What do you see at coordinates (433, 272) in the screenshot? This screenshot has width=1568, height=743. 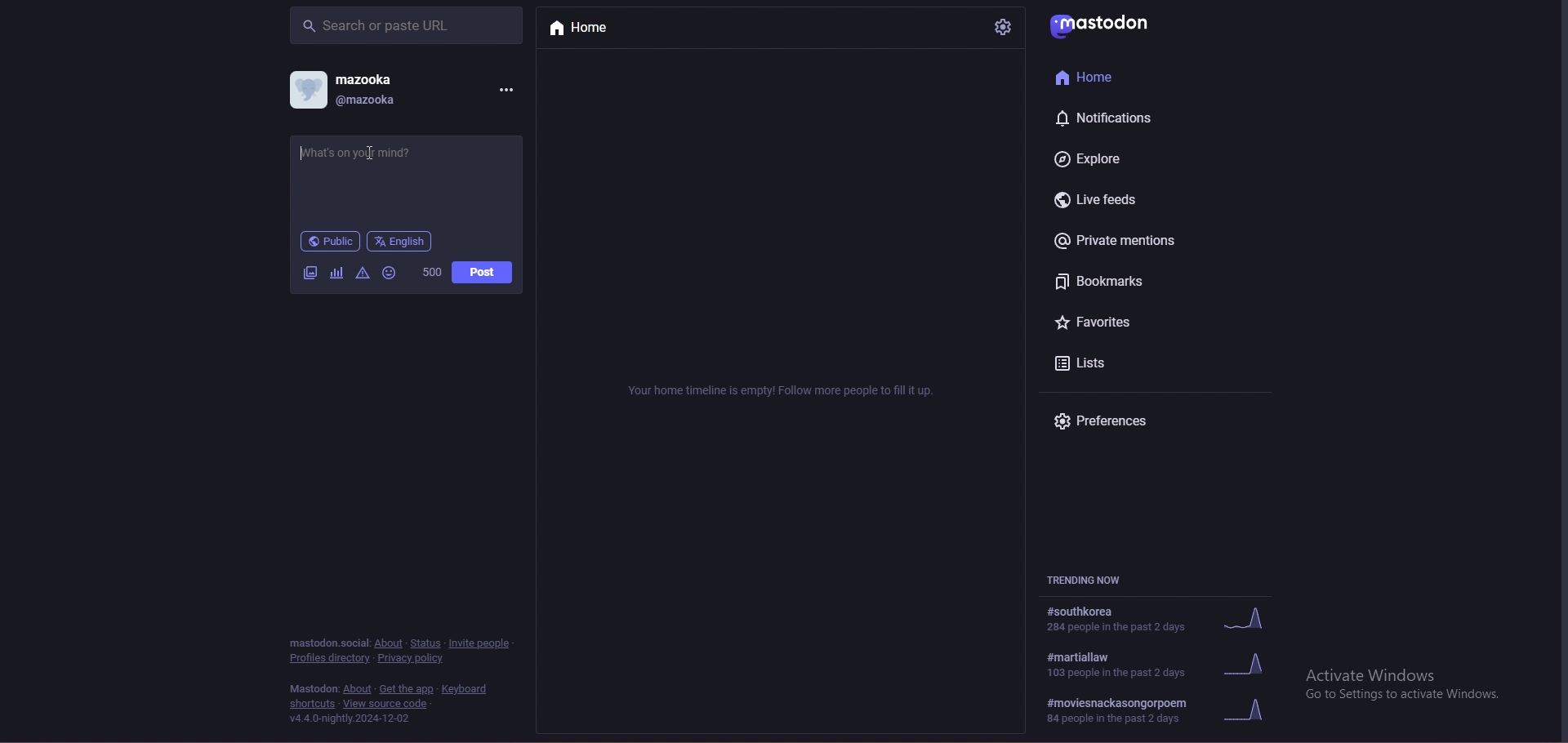 I see `worf count` at bounding box center [433, 272].